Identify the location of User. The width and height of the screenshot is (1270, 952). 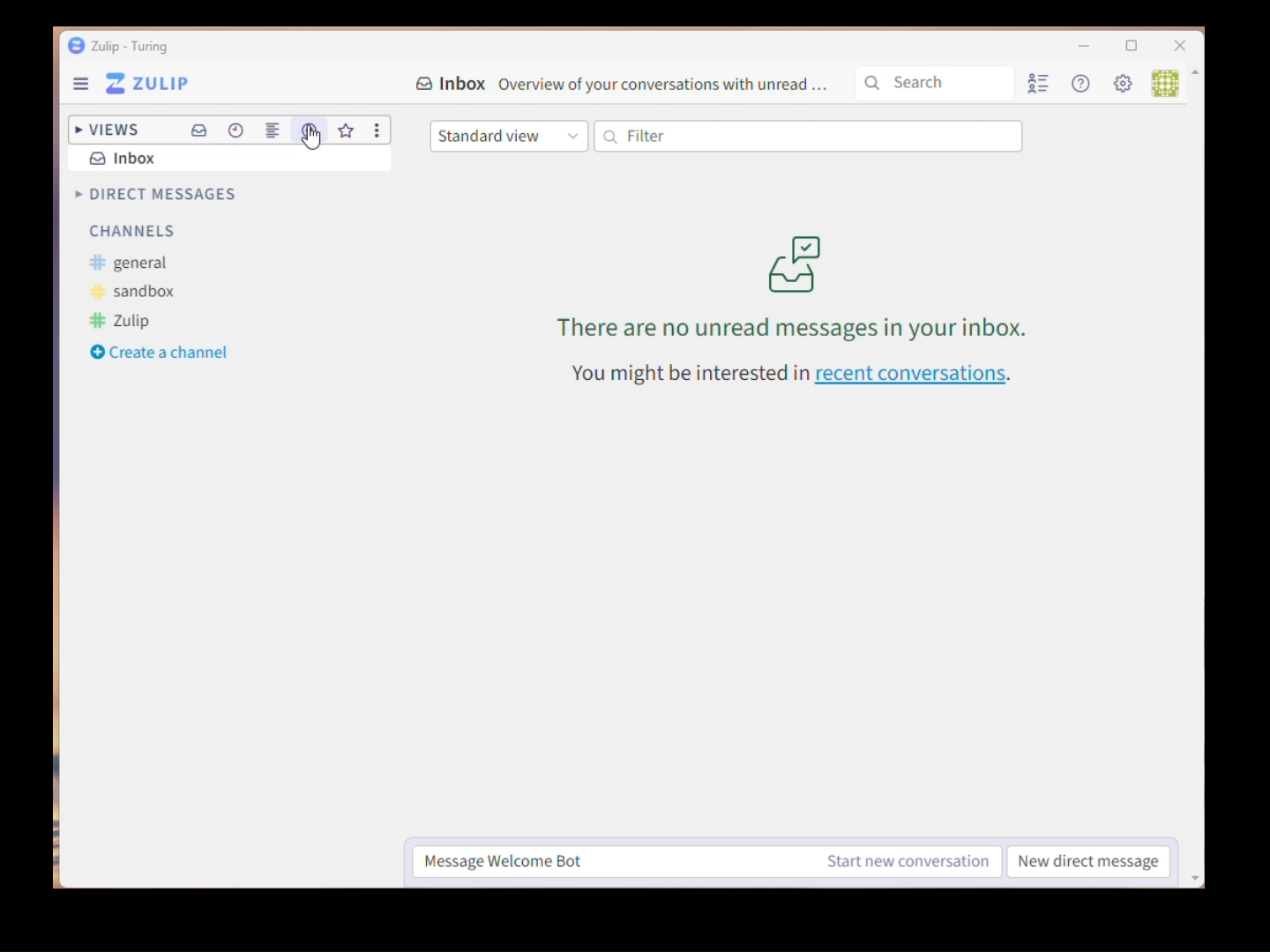
(1162, 82).